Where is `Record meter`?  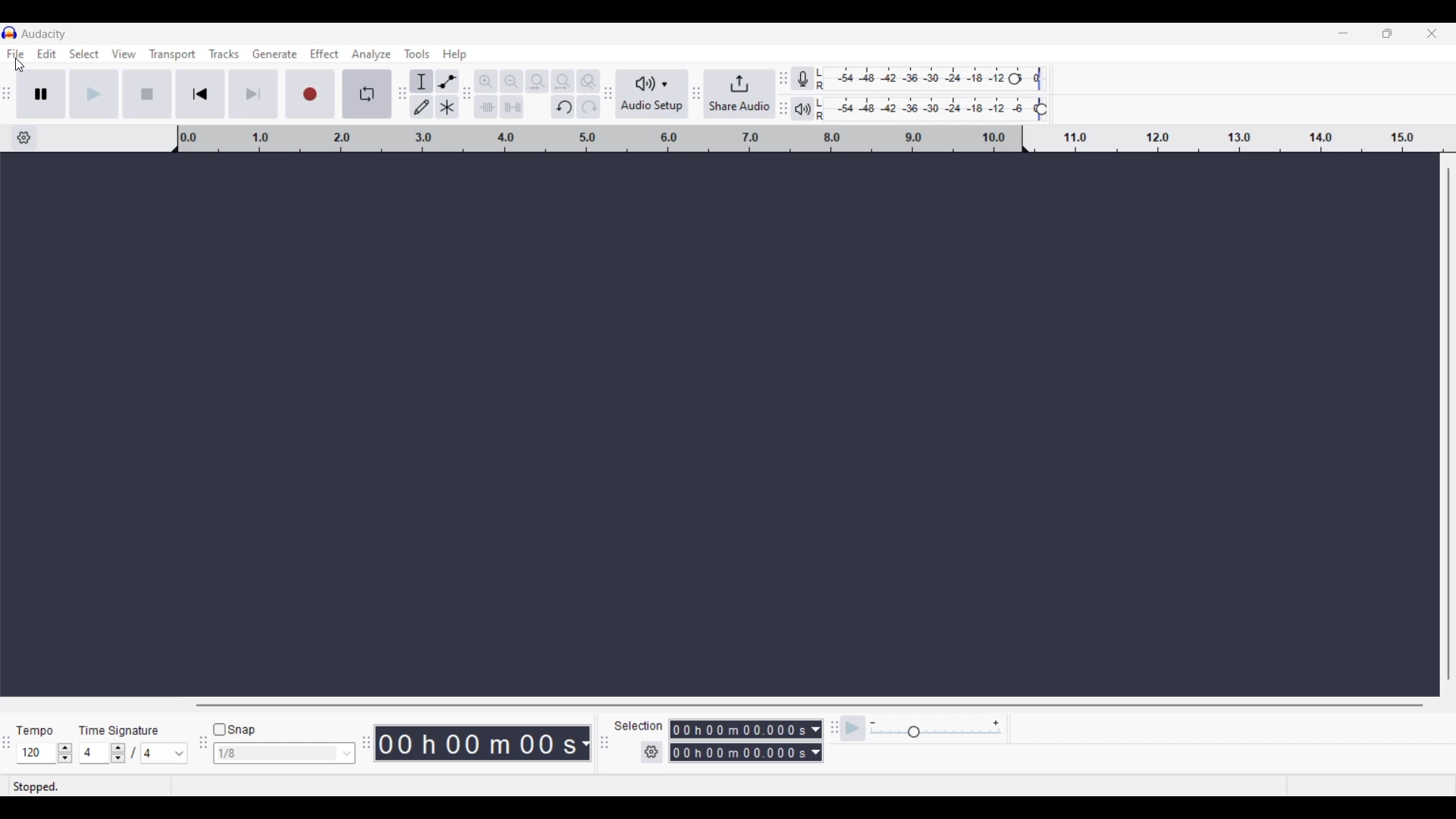
Record meter is located at coordinates (813, 78).